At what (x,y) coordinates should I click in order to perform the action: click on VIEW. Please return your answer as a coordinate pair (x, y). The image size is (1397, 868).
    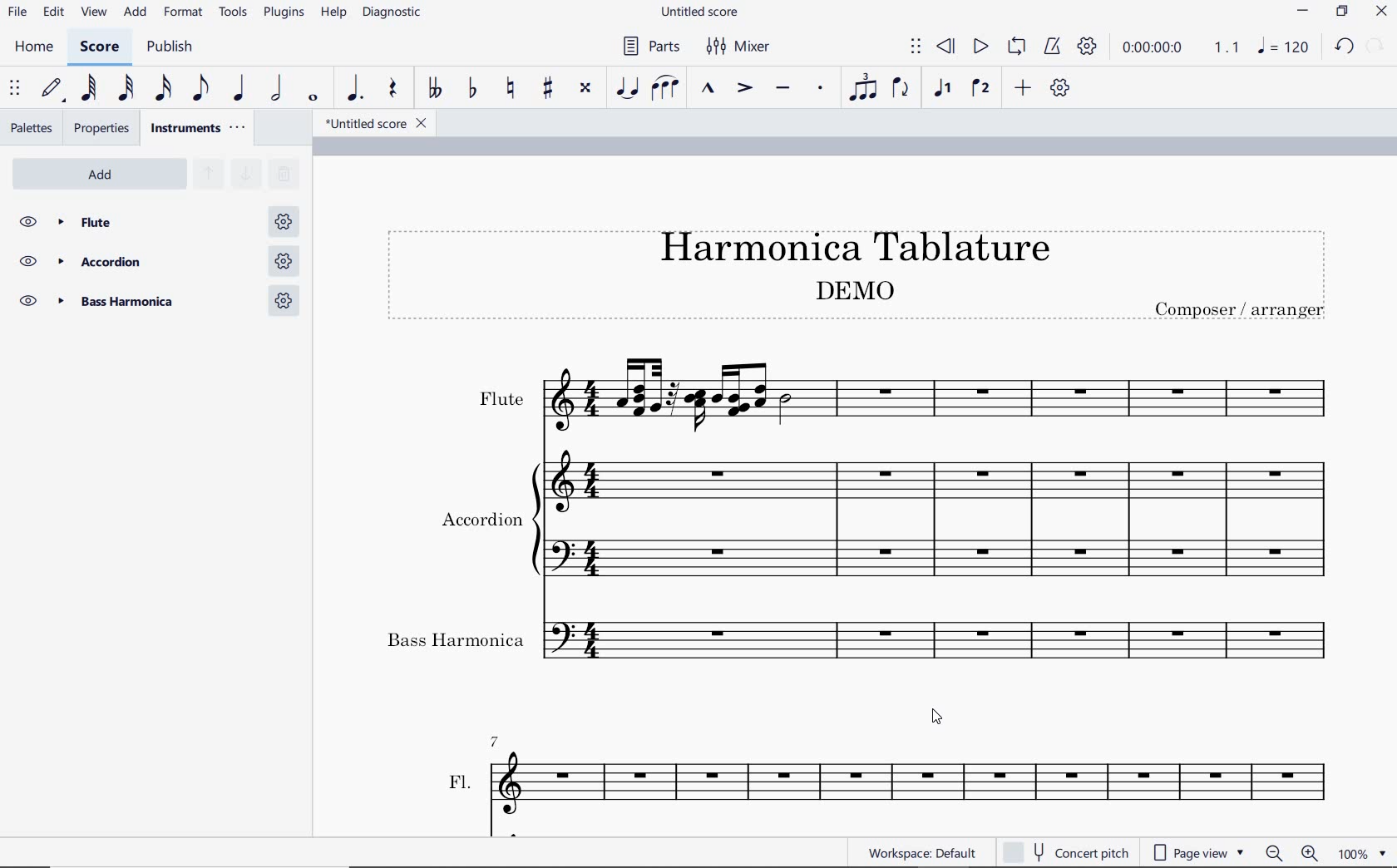
    Looking at the image, I should click on (95, 12).